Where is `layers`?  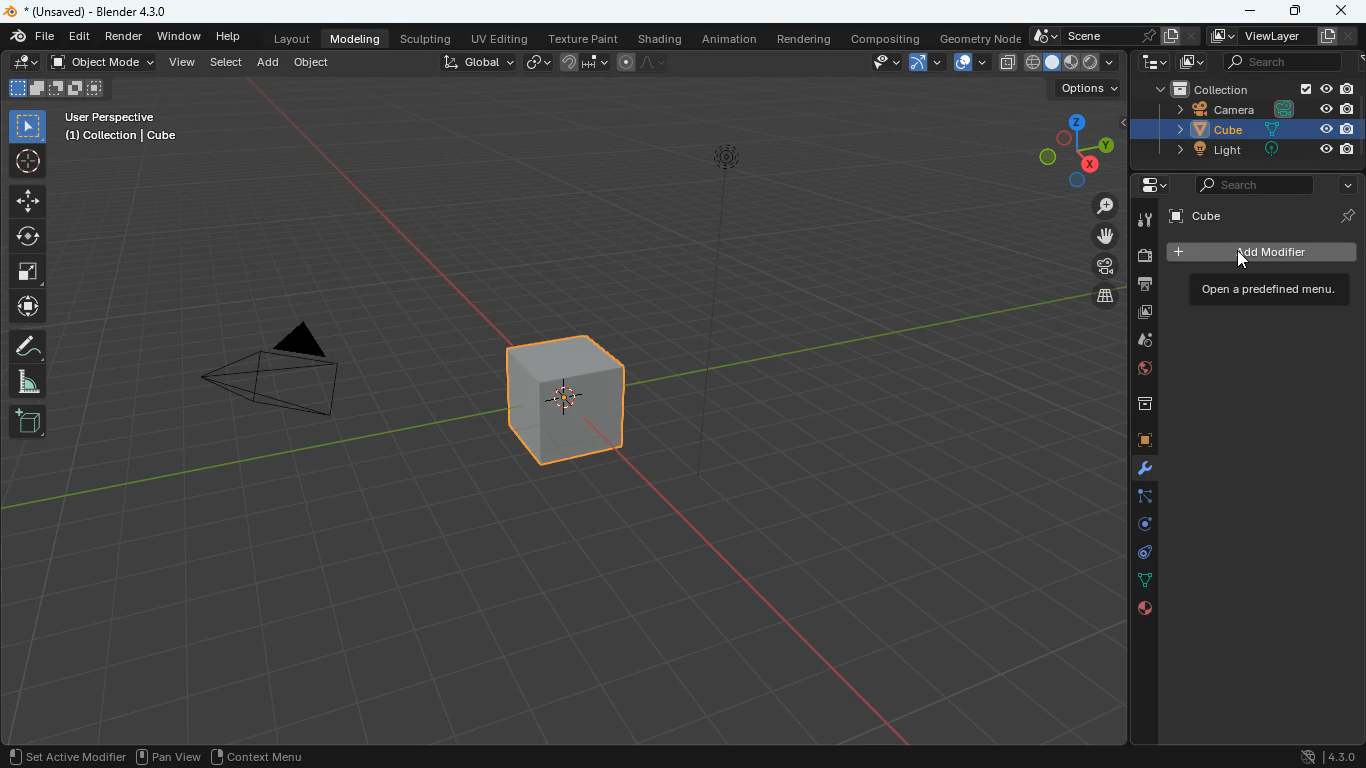 layers is located at coordinates (1098, 299).